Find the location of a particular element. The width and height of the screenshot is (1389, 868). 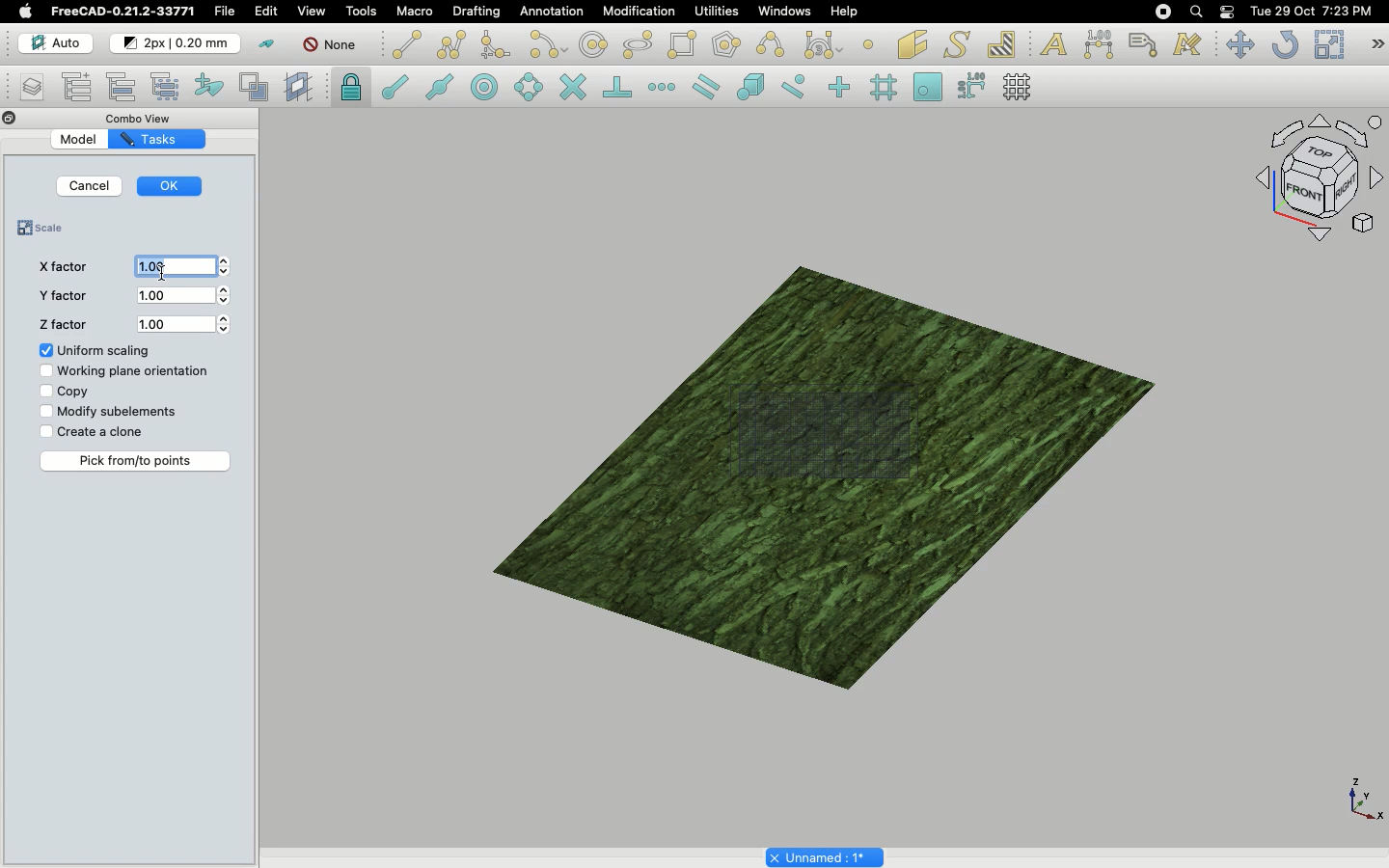

Toggle grid is located at coordinates (1023, 87).